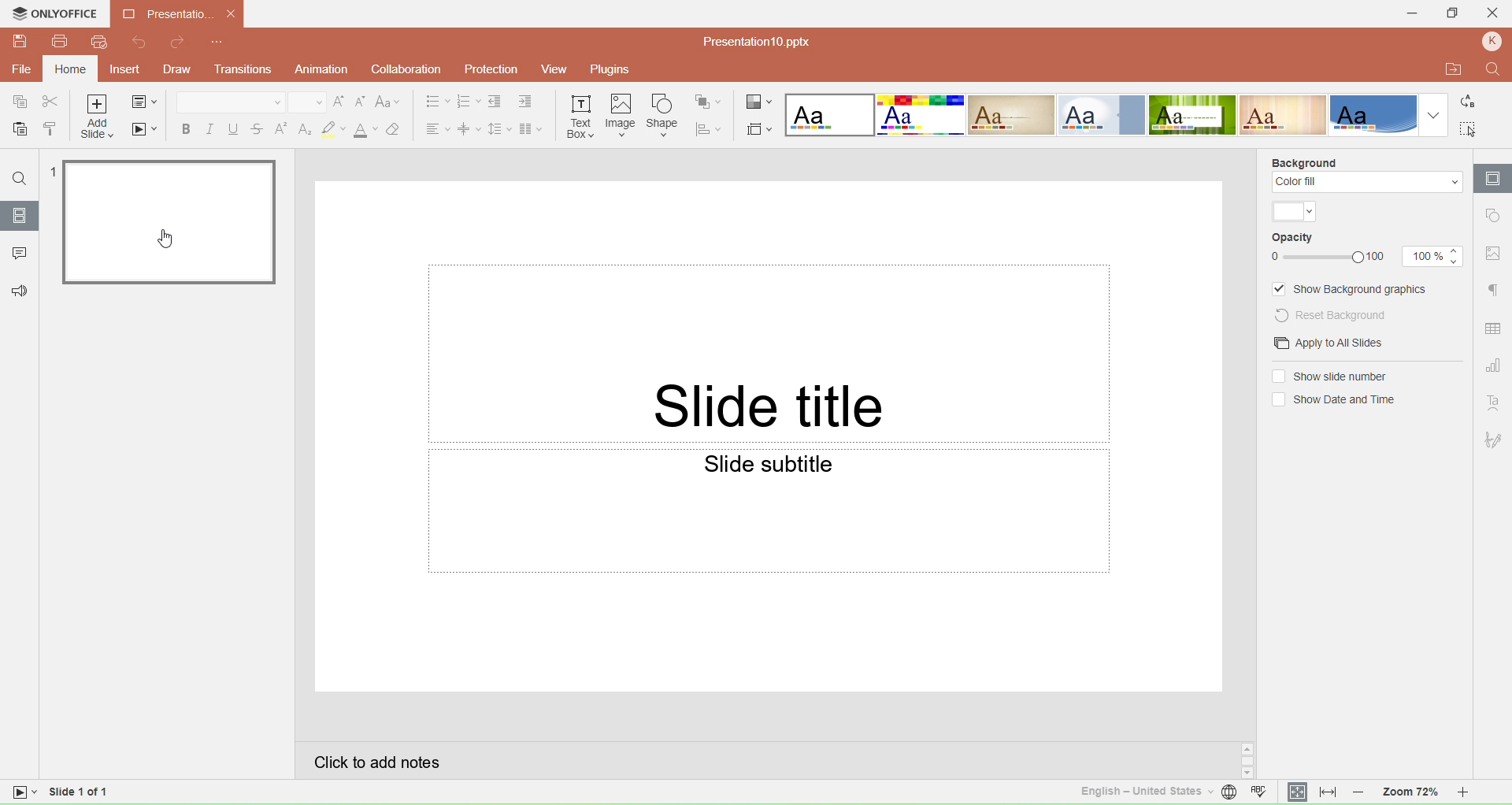 This screenshot has width=1512, height=805. What do you see at coordinates (750, 41) in the screenshot?
I see `File name` at bounding box center [750, 41].